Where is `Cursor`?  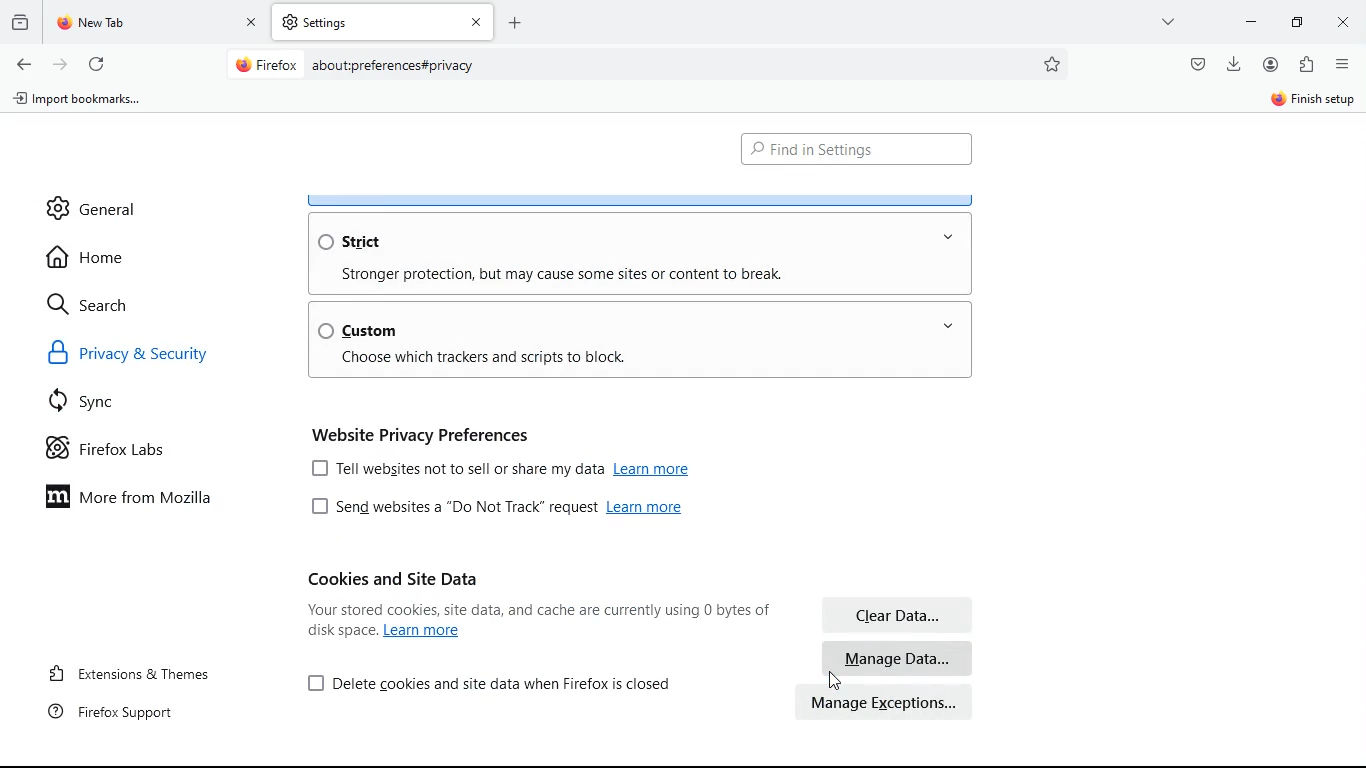
Cursor is located at coordinates (835, 679).